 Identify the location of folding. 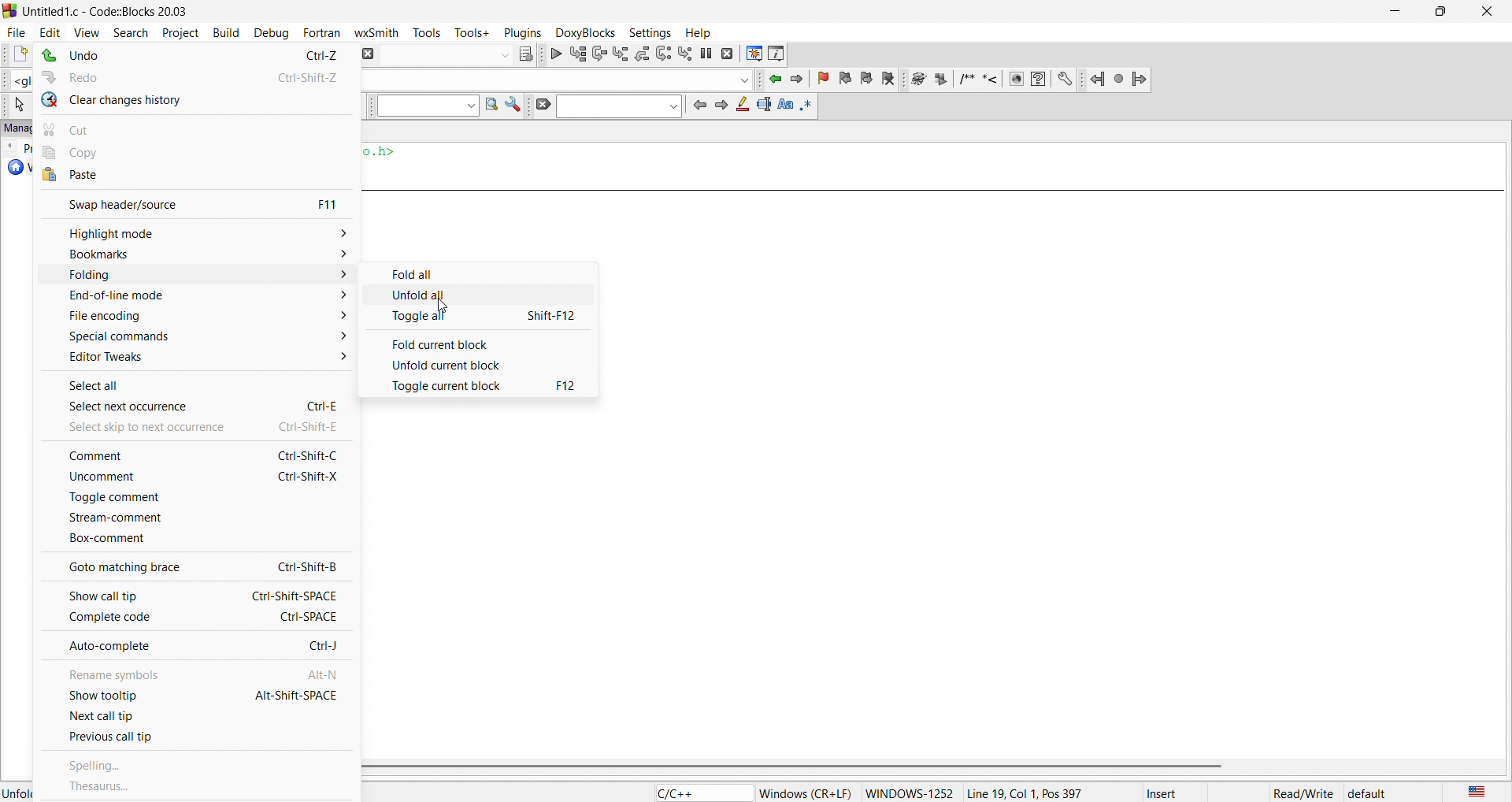
(195, 276).